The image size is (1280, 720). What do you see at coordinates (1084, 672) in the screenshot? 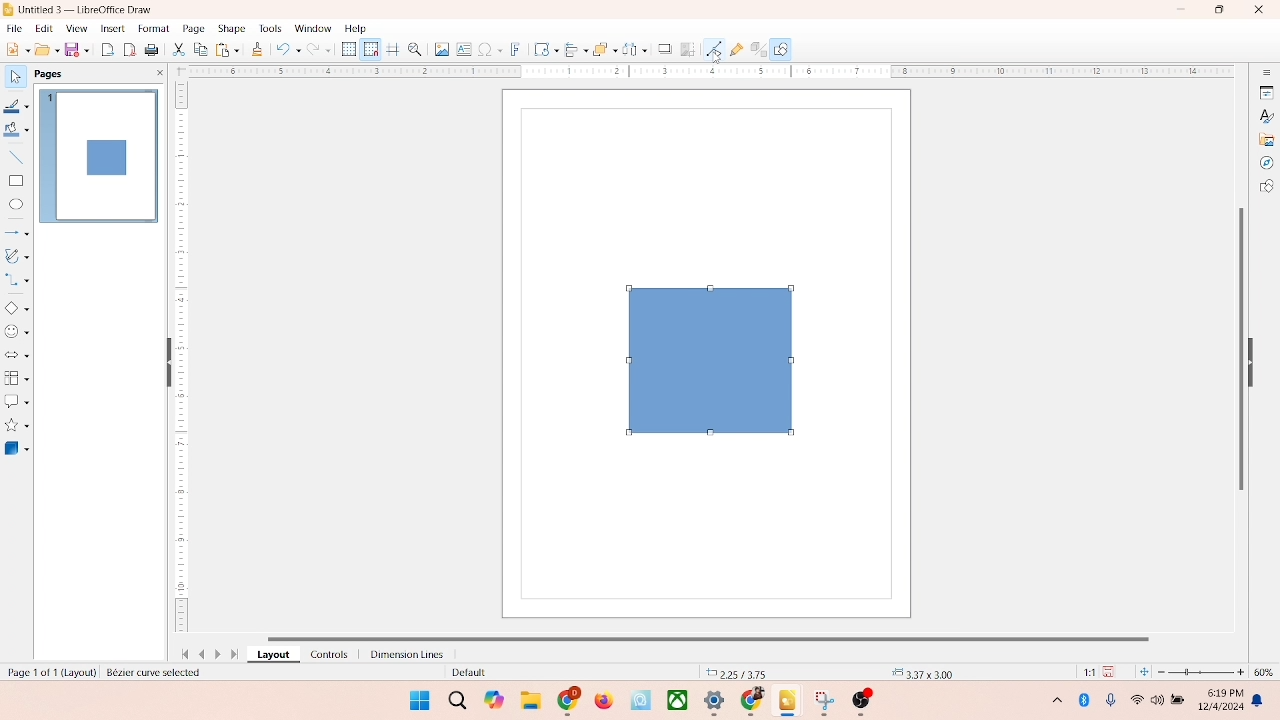
I see `scaling factor` at bounding box center [1084, 672].